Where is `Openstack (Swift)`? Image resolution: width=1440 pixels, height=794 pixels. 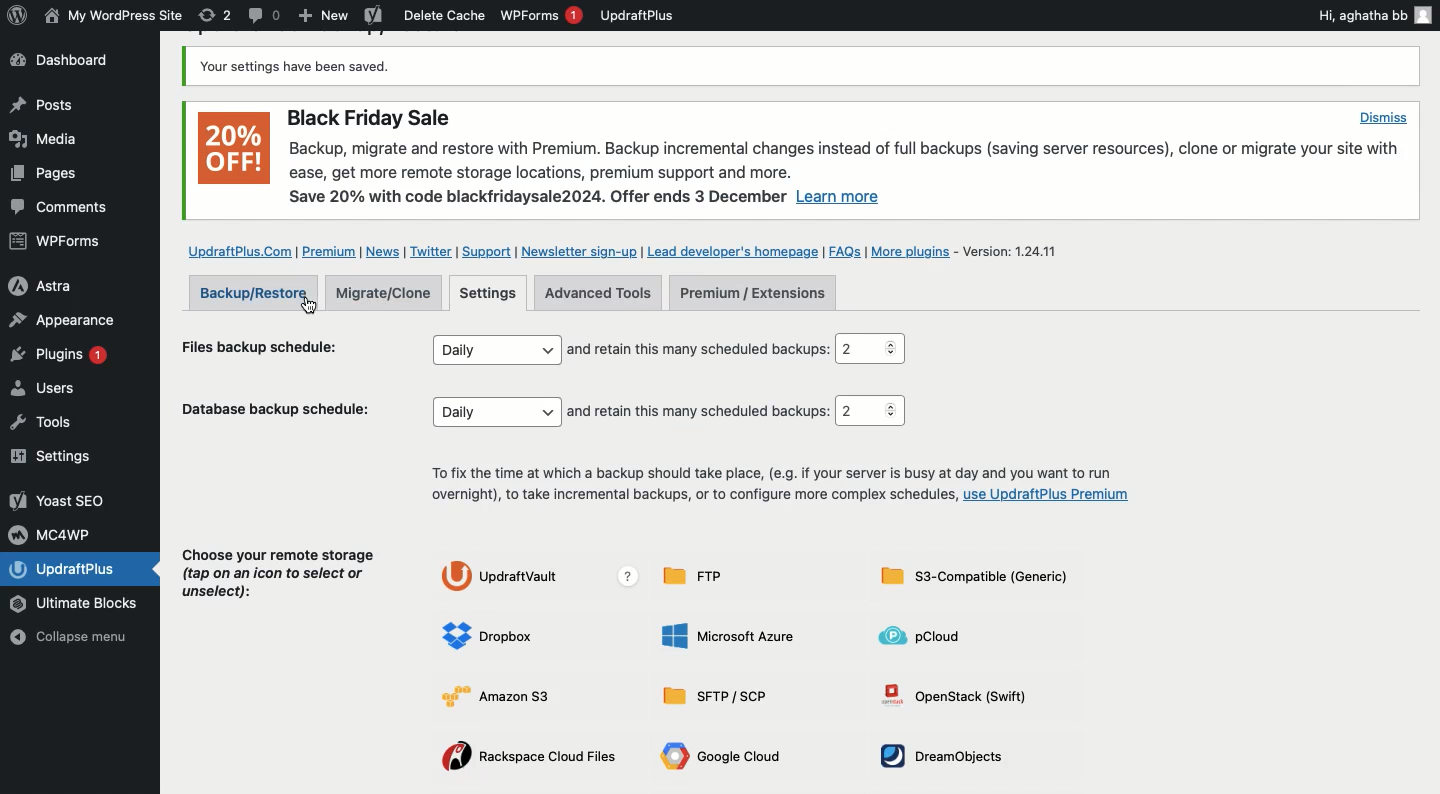
Openstack (Swift) is located at coordinates (949, 700).